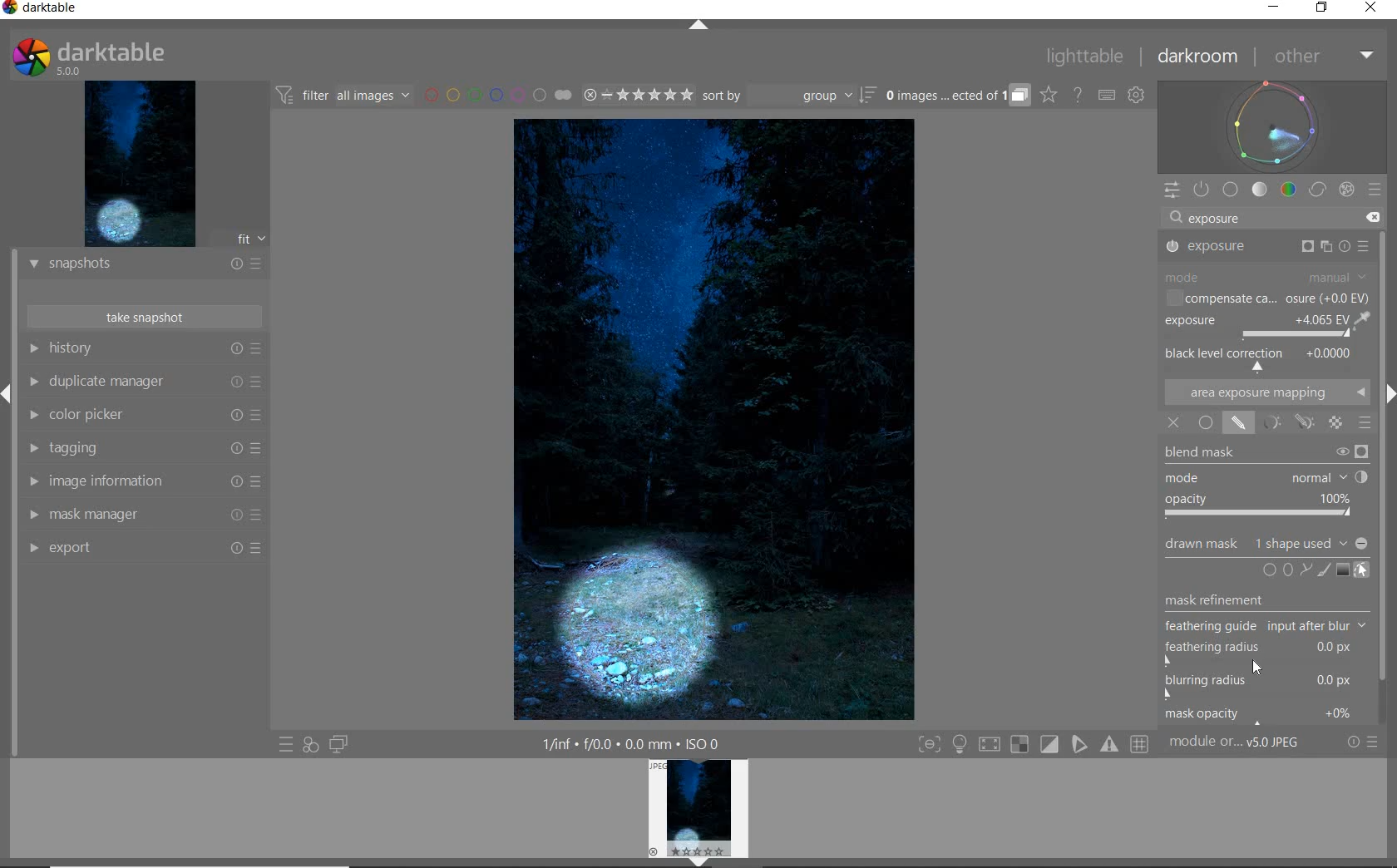 This screenshot has height=868, width=1397. Describe the element at coordinates (1231, 189) in the screenshot. I see `BASE` at that location.